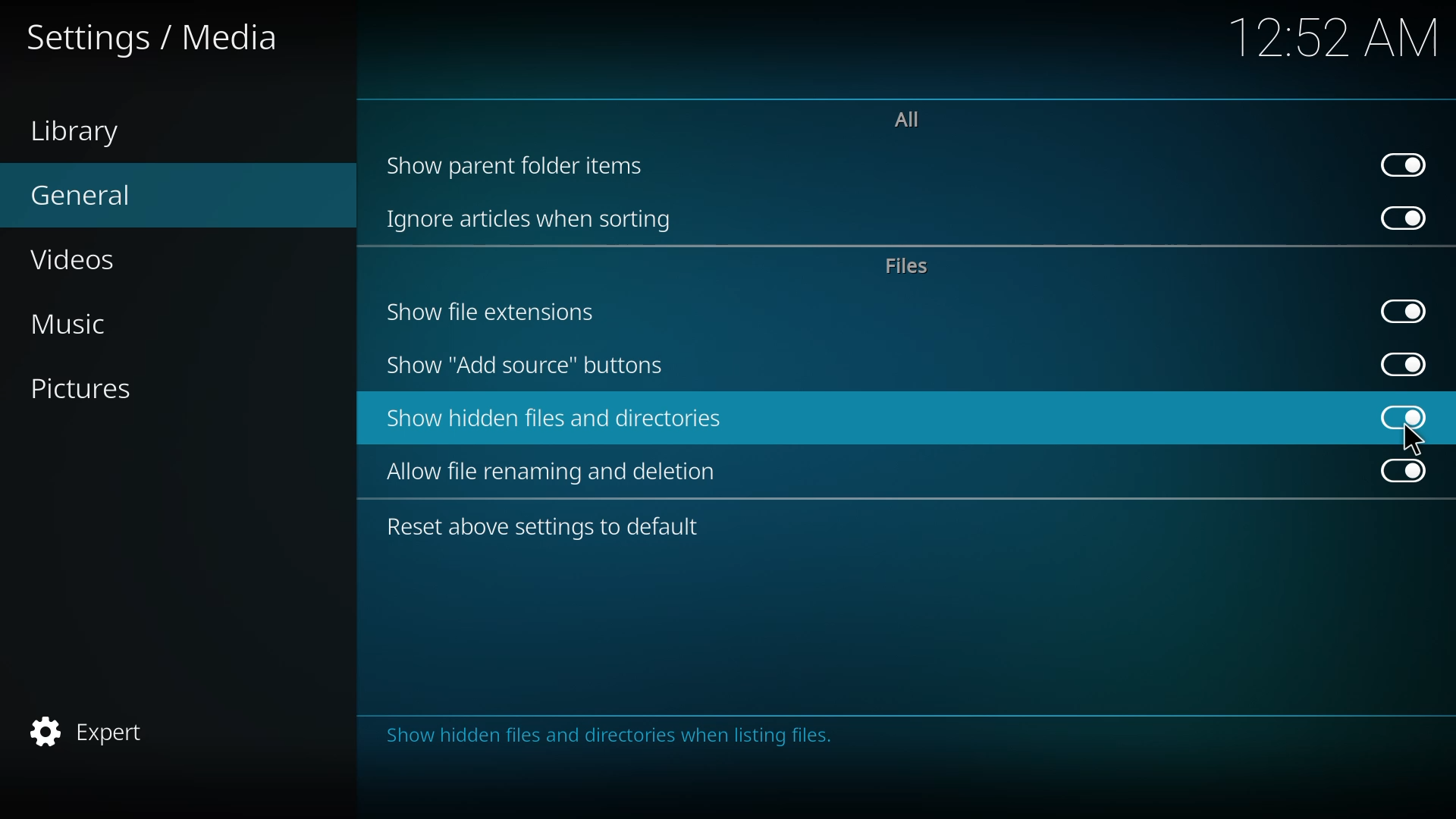 This screenshot has height=819, width=1456. What do you see at coordinates (496, 311) in the screenshot?
I see `show file extensions` at bounding box center [496, 311].